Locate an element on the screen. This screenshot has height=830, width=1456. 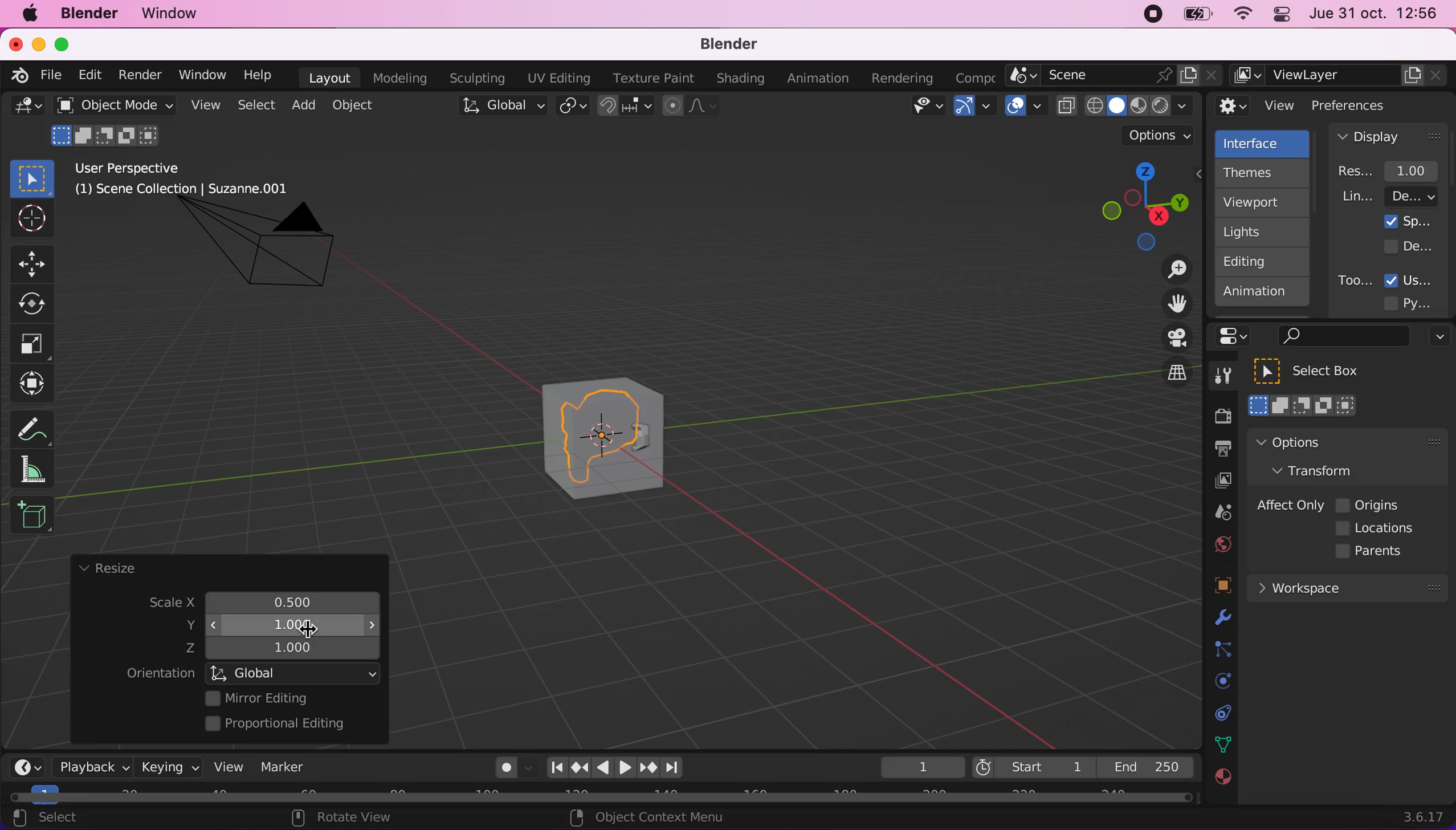
file is located at coordinates (49, 75).